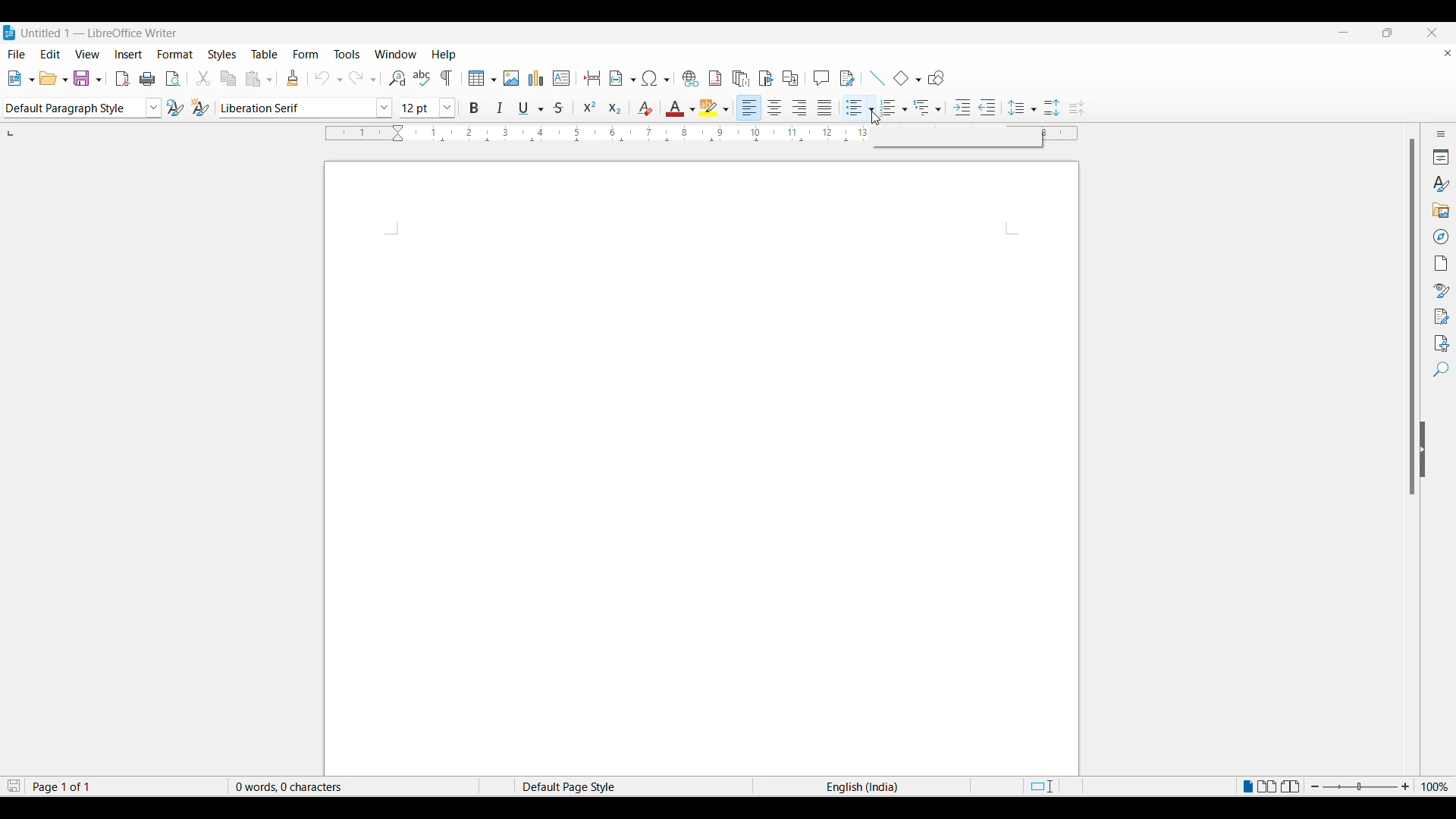 The width and height of the screenshot is (1456, 819). Describe the element at coordinates (221, 53) in the screenshot. I see `Styles` at that location.